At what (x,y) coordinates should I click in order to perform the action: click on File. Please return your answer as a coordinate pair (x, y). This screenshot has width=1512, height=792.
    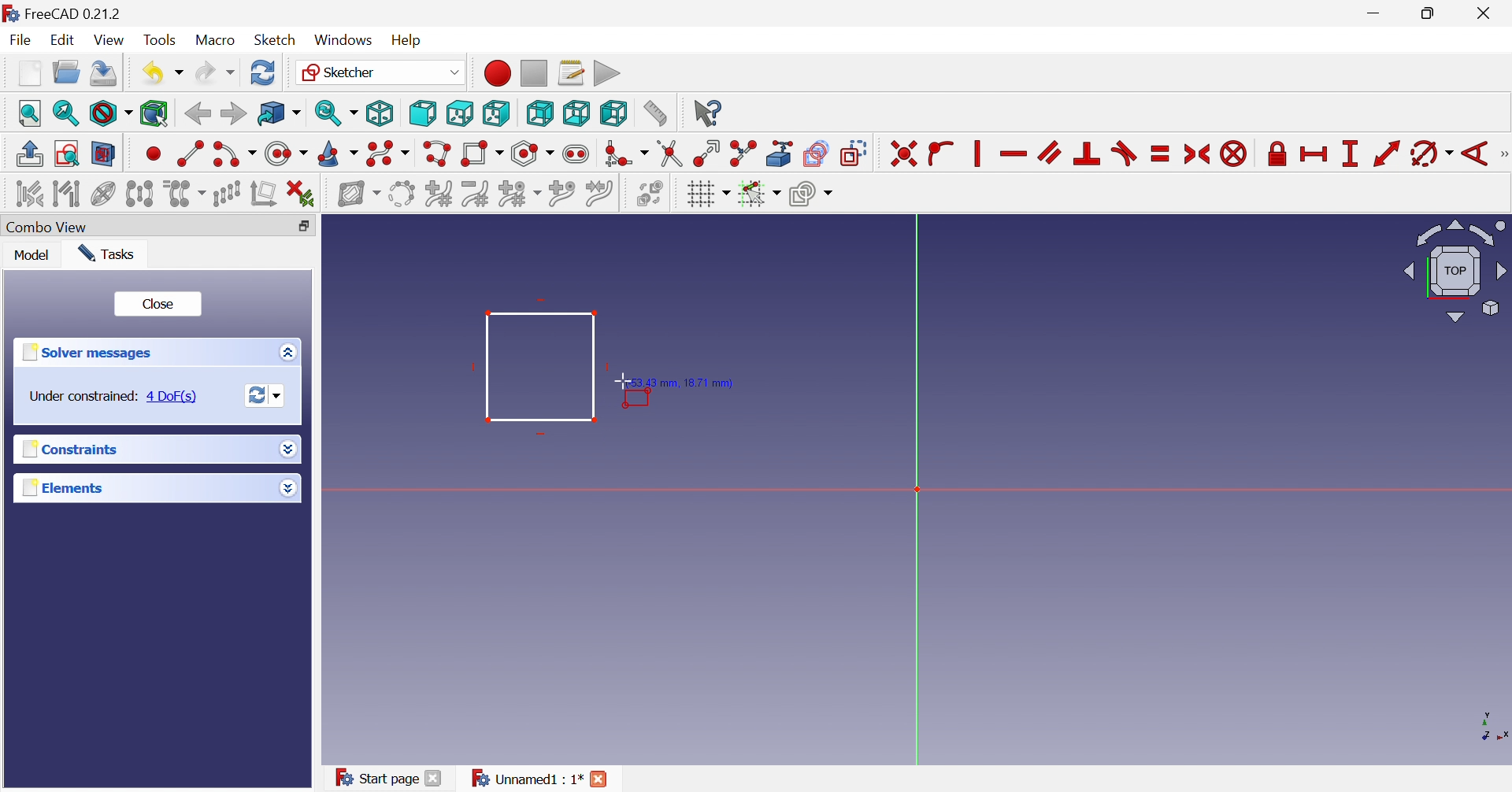
    Looking at the image, I should click on (24, 41).